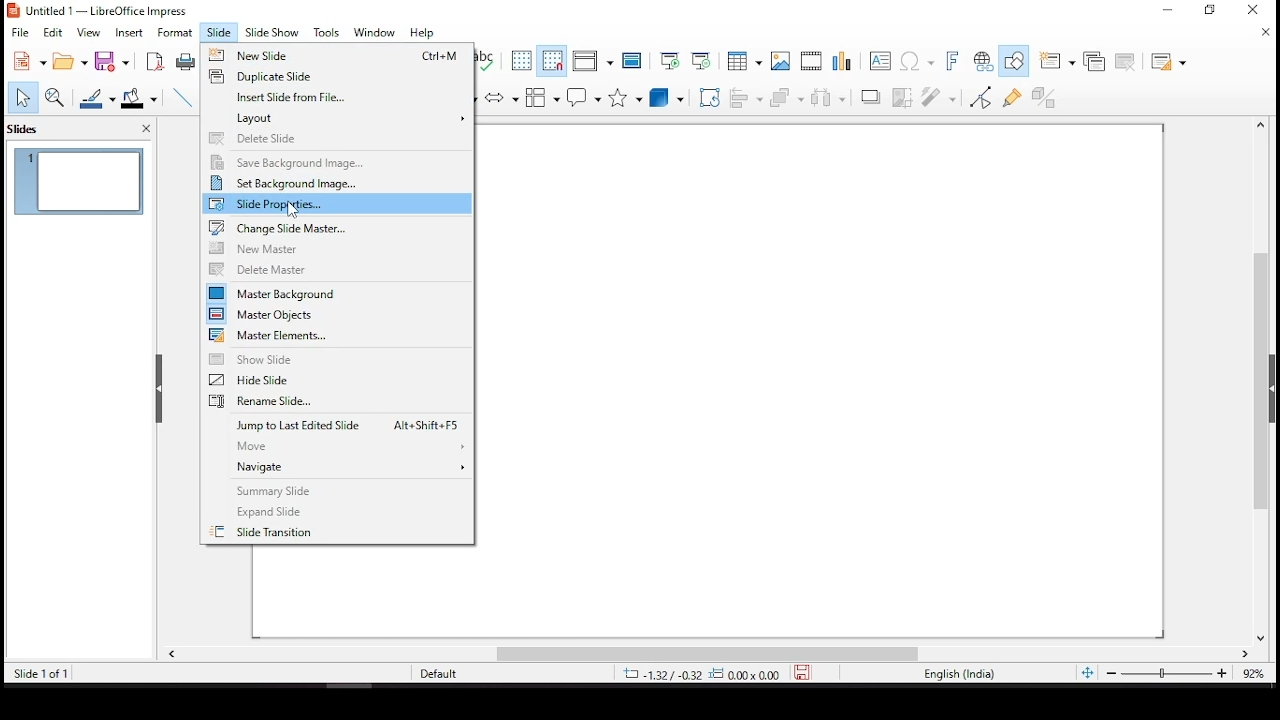 This screenshot has width=1280, height=720. I want to click on slide show, so click(272, 31).